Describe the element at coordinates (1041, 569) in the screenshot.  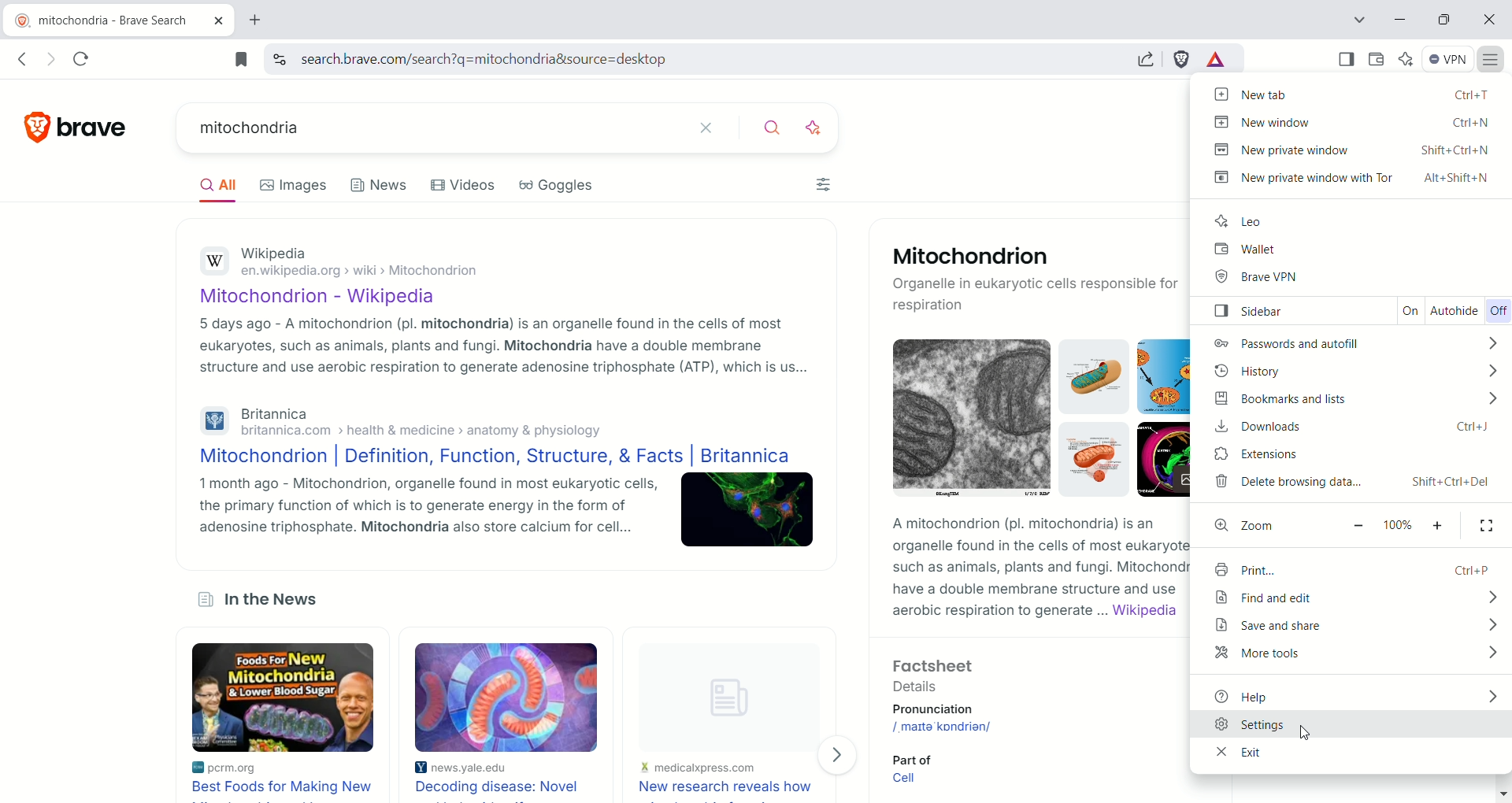
I see `A mitochondrion (pl. mitochondria) is anorganelle found in the cells of most eukaryotes,such as animals, plants and fungi. Mitochondriahave a double membrane structure and useaerobic respiration to generate ... Wikipedia` at that location.